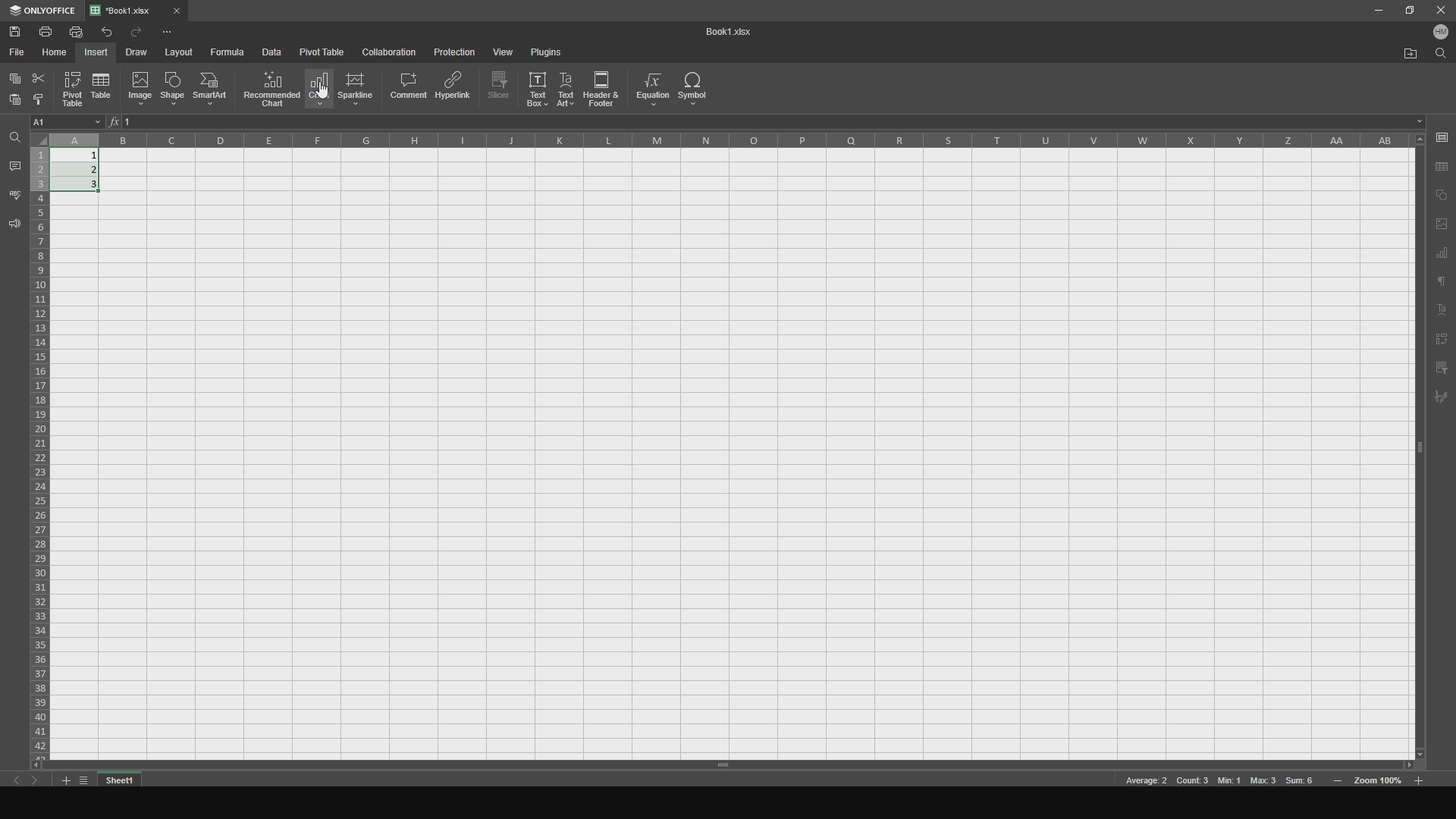 The height and width of the screenshot is (819, 1456). What do you see at coordinates (1407, 12) in the screenshot?
I see `maxiize` at bounding box center [1407, 12].